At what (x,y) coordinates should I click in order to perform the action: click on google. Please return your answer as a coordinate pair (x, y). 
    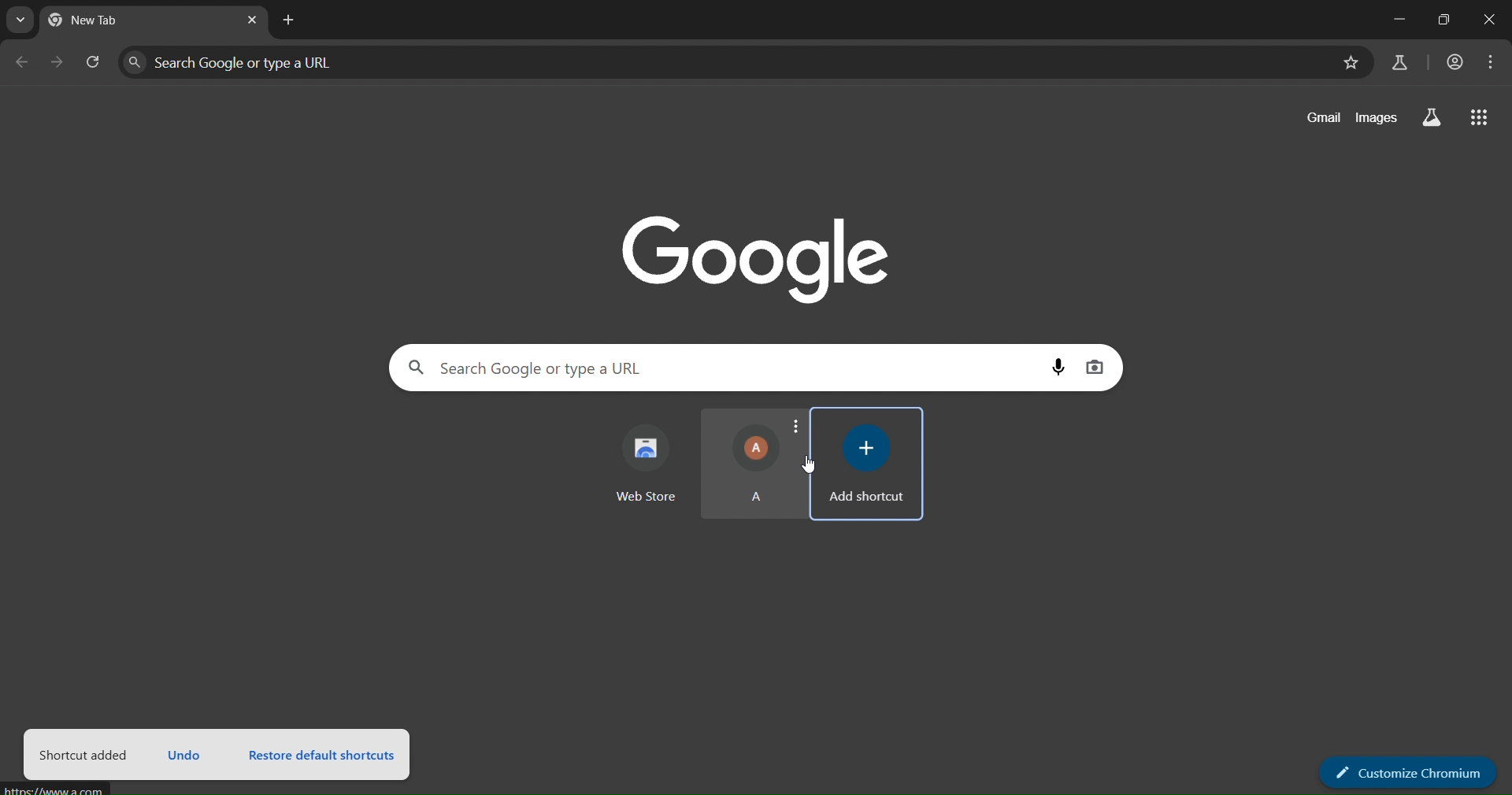
    Looking at the image, I should click on (762, 250).